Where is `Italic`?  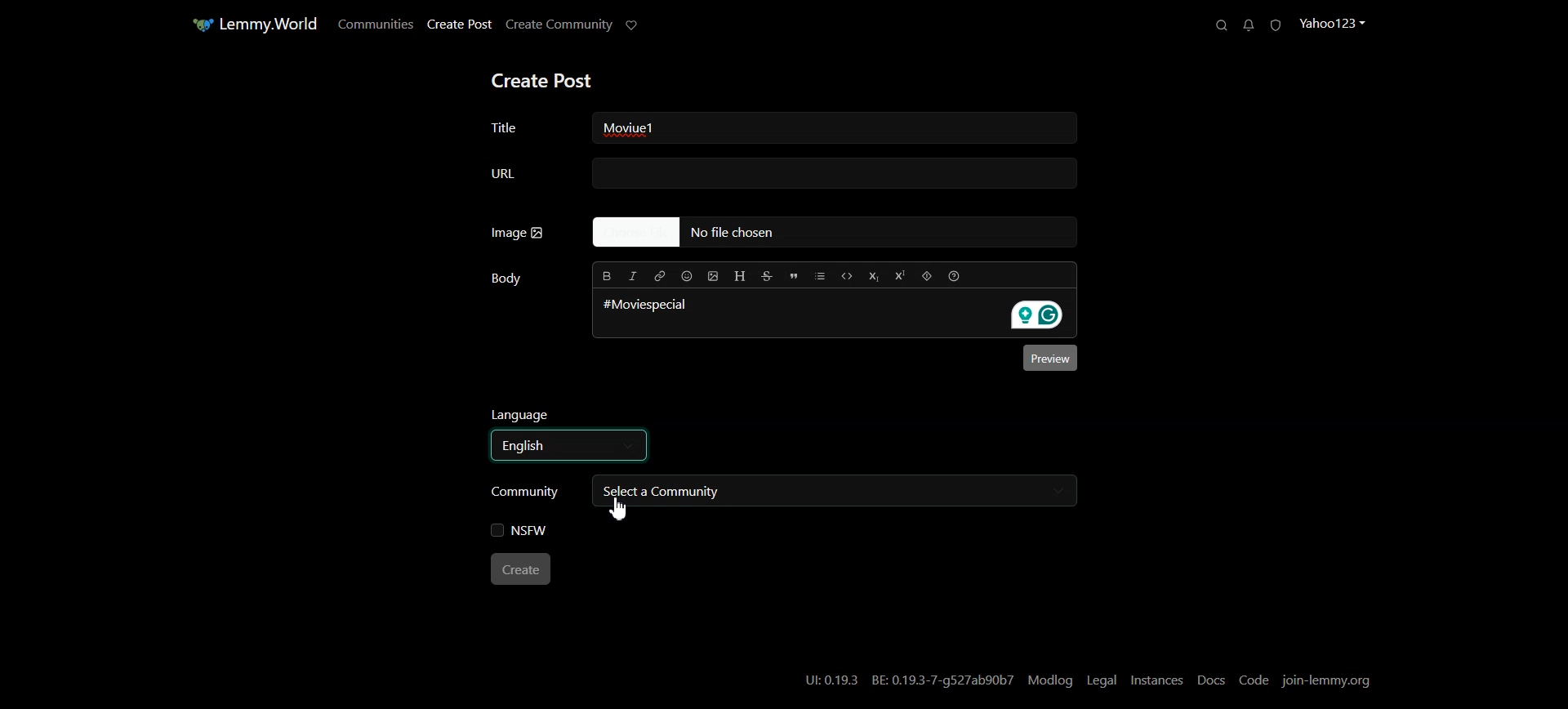
Italic is located at coordinates (634, 276).